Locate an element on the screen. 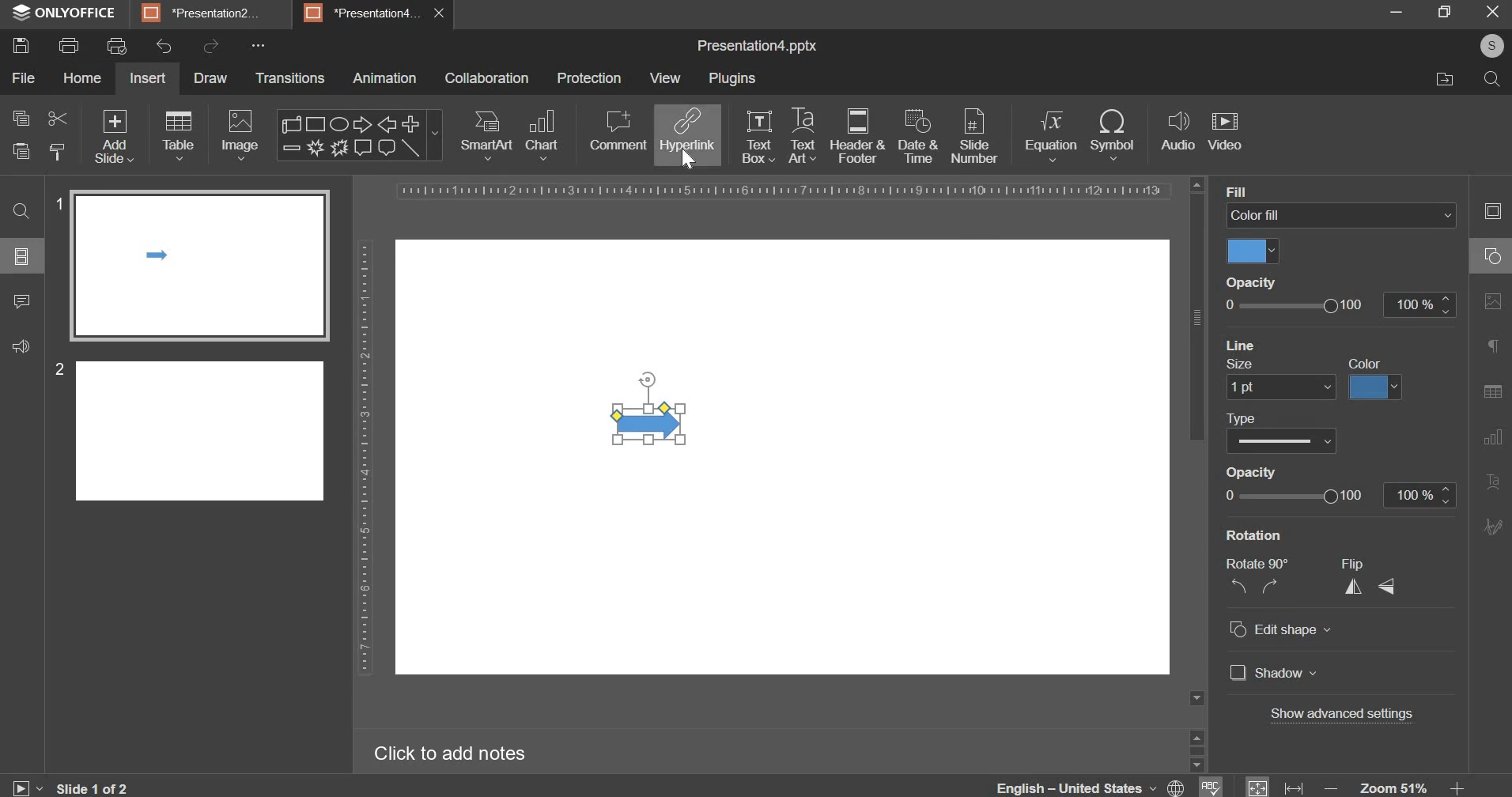 This screenshot has height=797, width=1512. home is located at coordinates (82, 78).